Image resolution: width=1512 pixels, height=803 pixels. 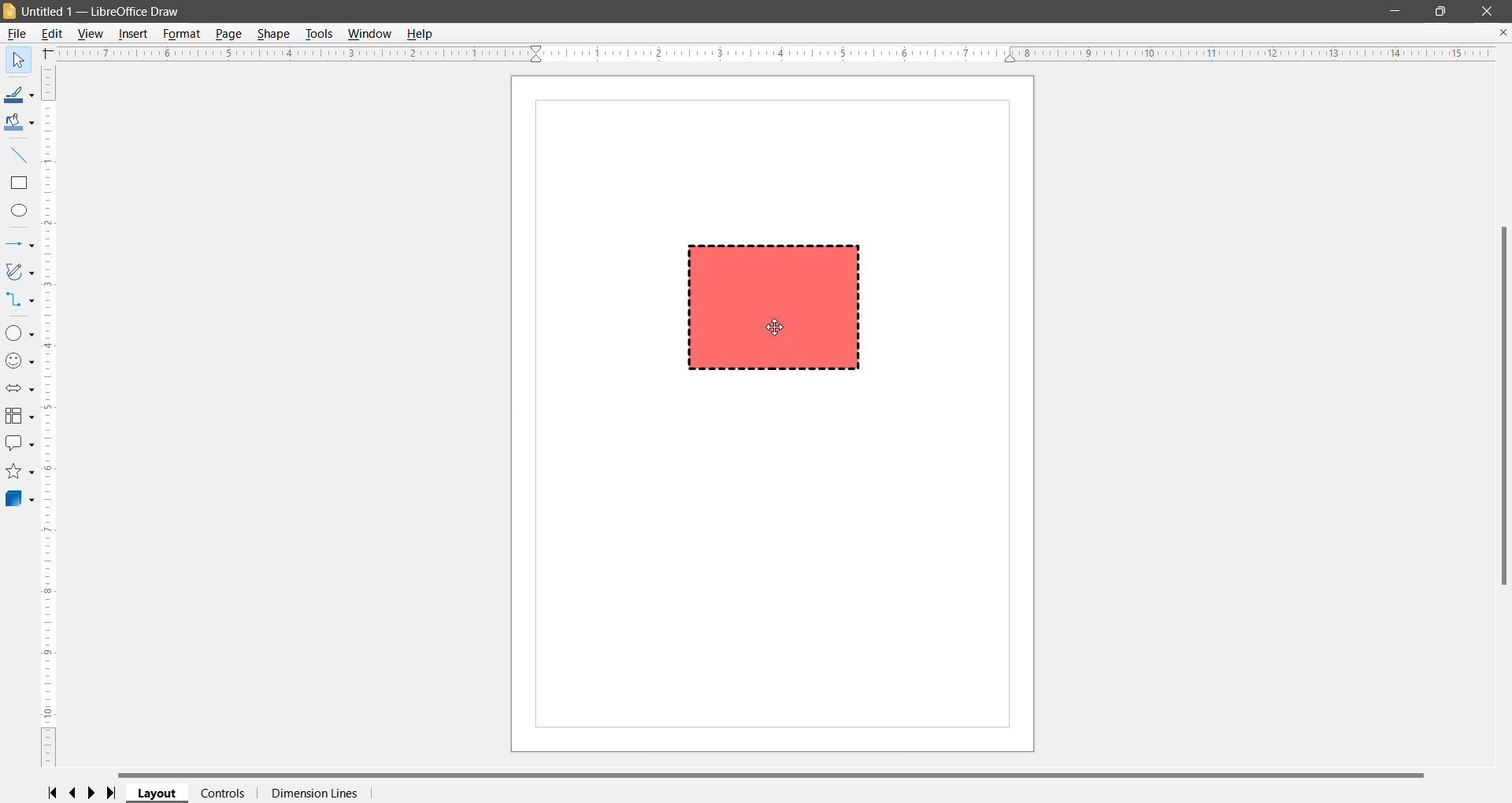 I want to click on Close, so click(x=1488, y=12).